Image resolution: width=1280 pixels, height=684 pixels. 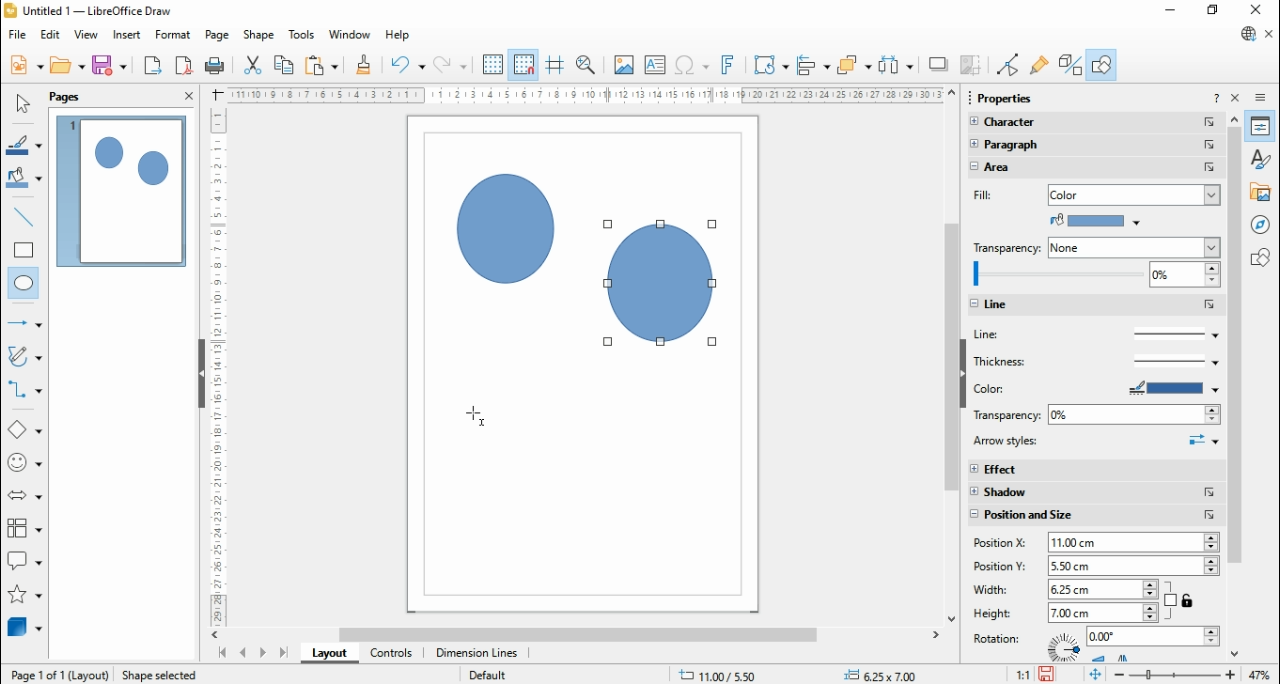 What do you see at coordinates (654, 64) in the screenshot?
I see `insert text box` at bounding box center [654, 64].